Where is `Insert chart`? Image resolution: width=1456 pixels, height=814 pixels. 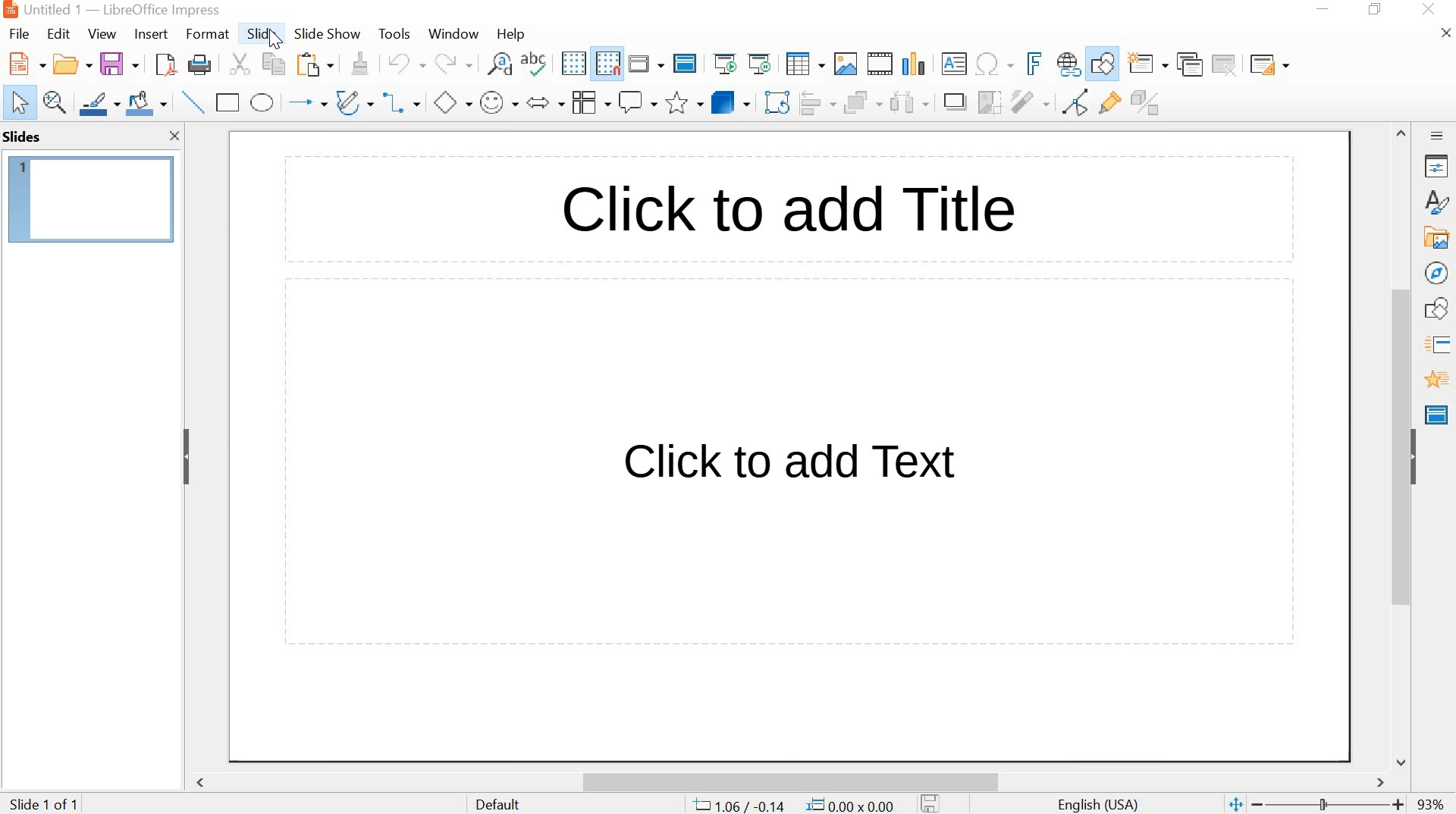
Insert chart is located at coordinates (913, 62).